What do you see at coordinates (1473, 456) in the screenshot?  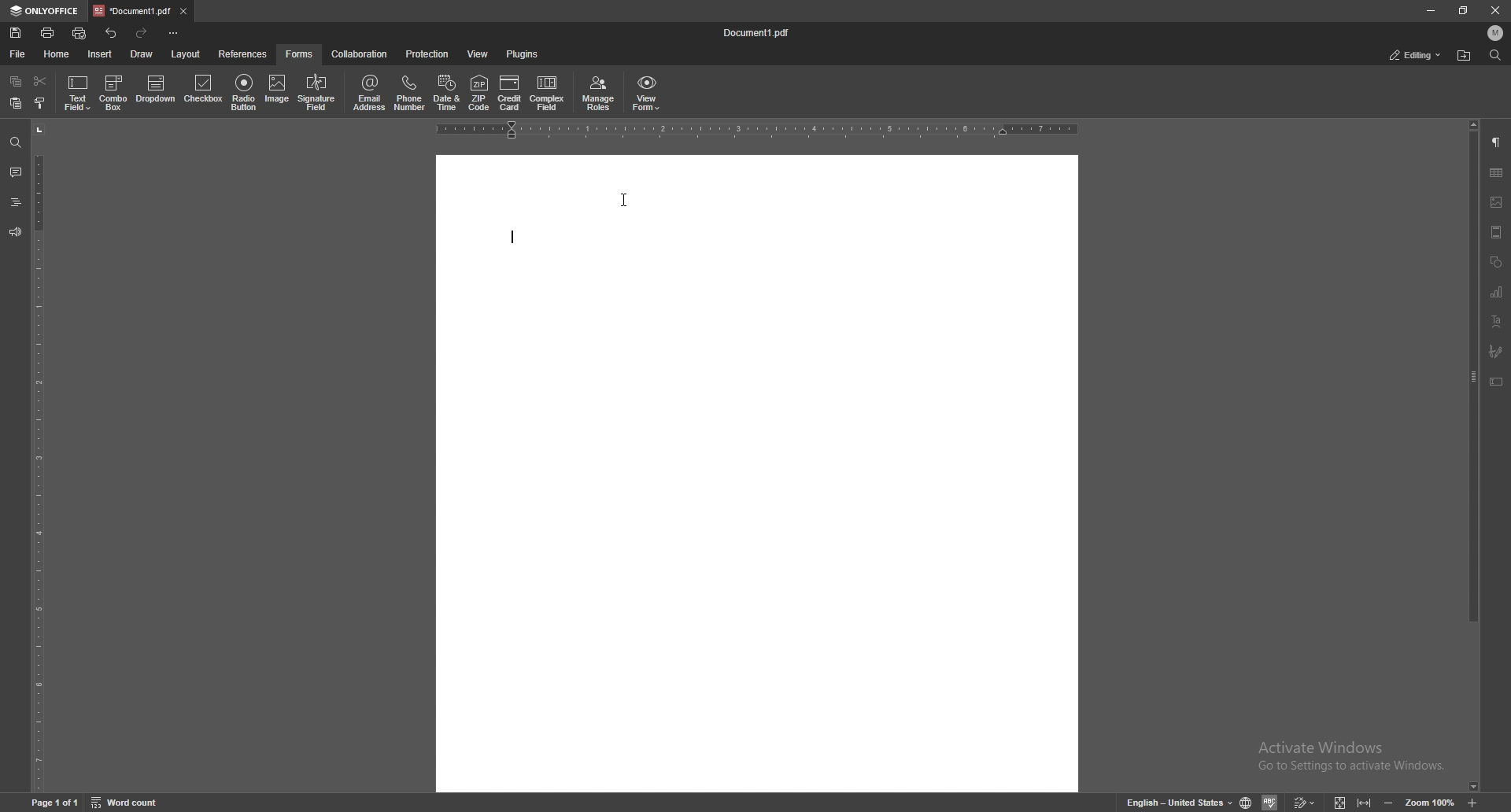 I see `scroll bar` at bounding box center [1473, 456].